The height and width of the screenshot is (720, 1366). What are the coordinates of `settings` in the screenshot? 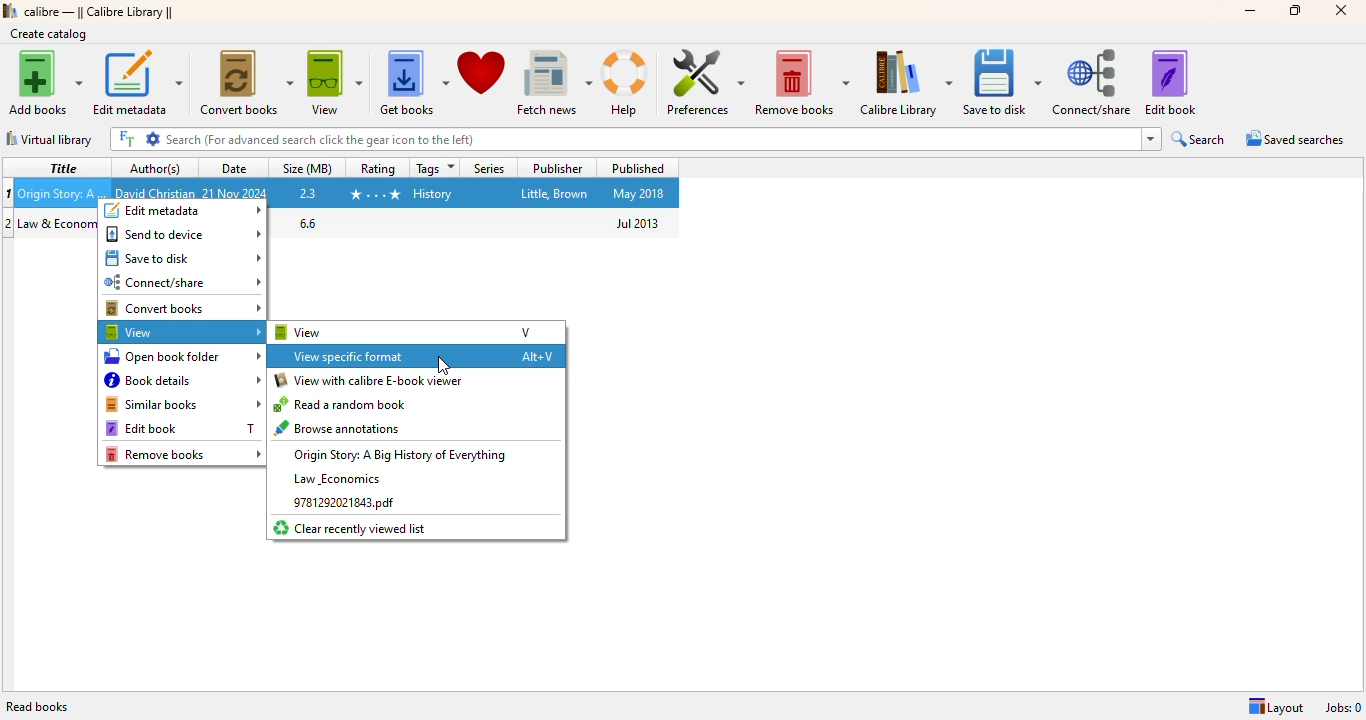 It's located at (153, 139).